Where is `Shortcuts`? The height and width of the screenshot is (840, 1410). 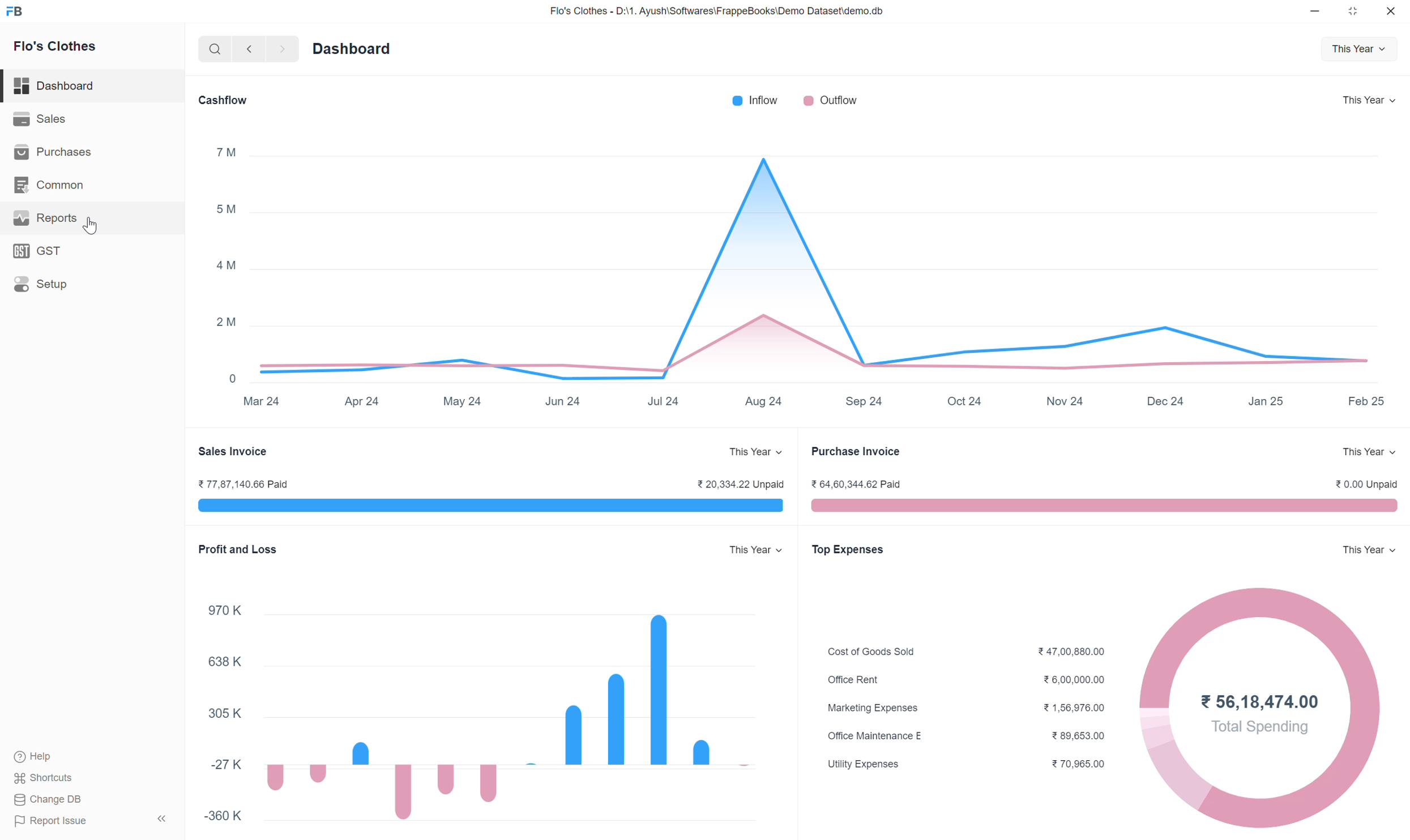
Shortcuts is located at coordinates (49, 777).